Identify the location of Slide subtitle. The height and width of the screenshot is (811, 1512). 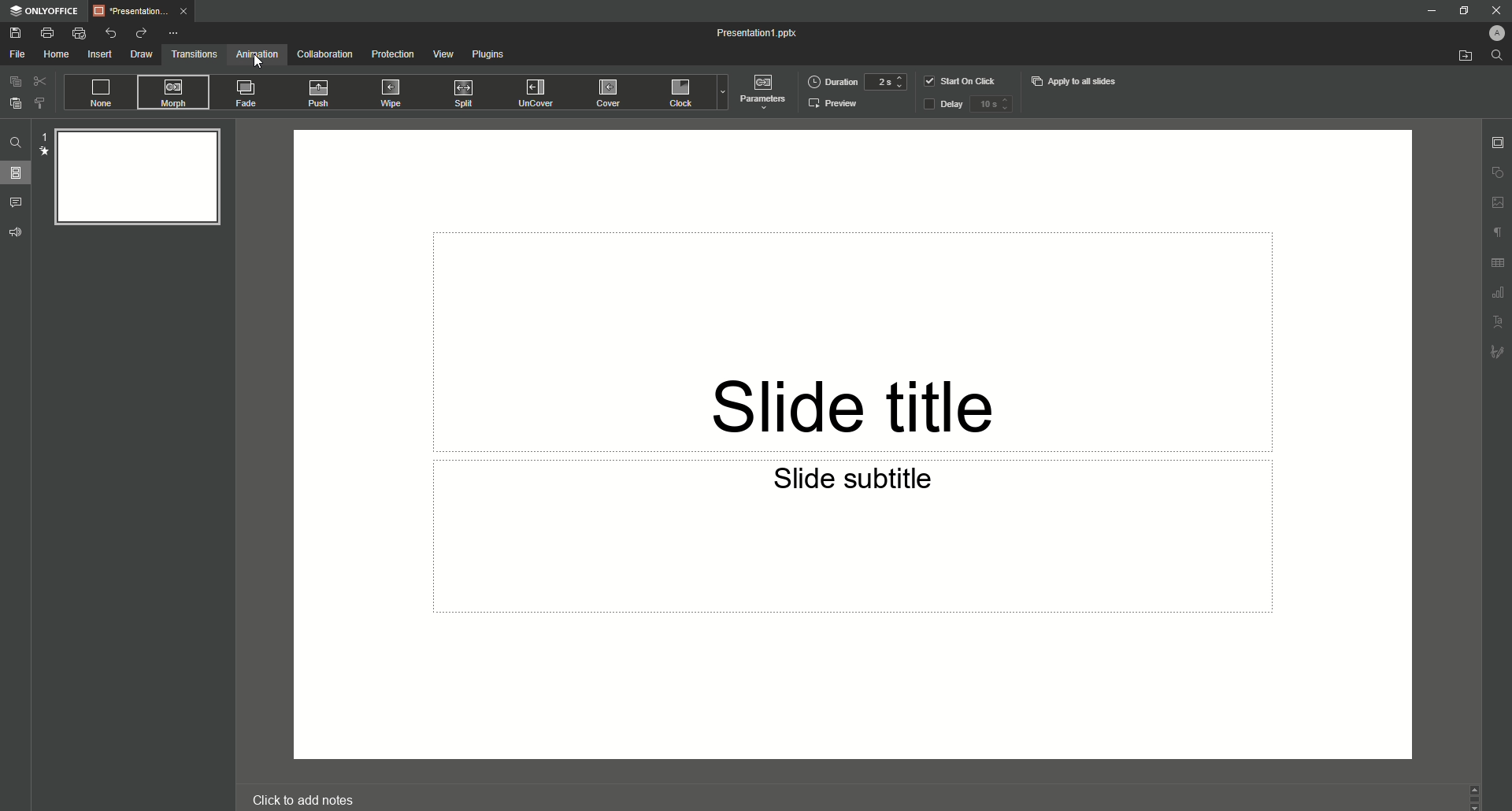
(855, 484).